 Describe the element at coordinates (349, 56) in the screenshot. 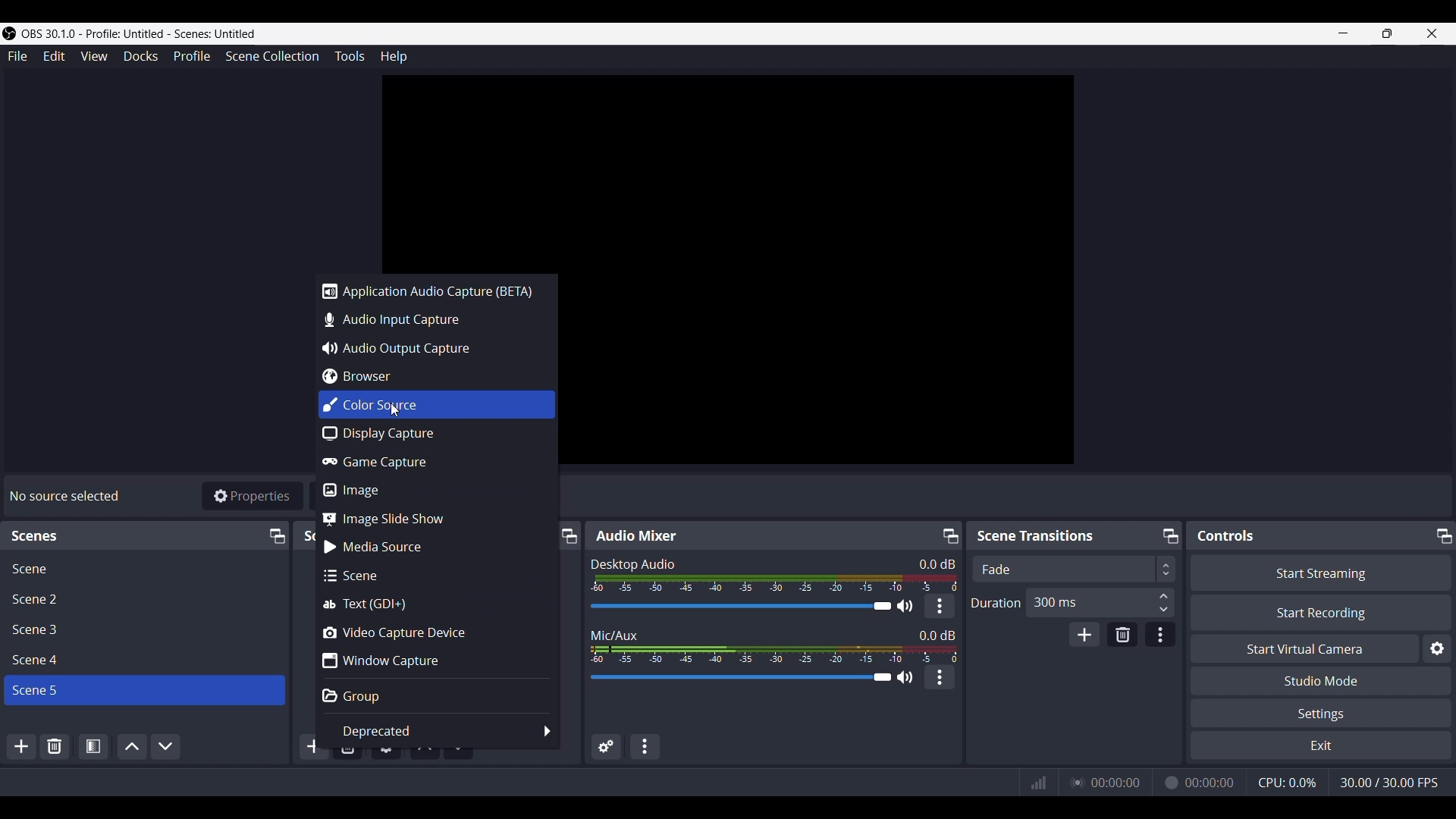

I see `Tools` at that location.